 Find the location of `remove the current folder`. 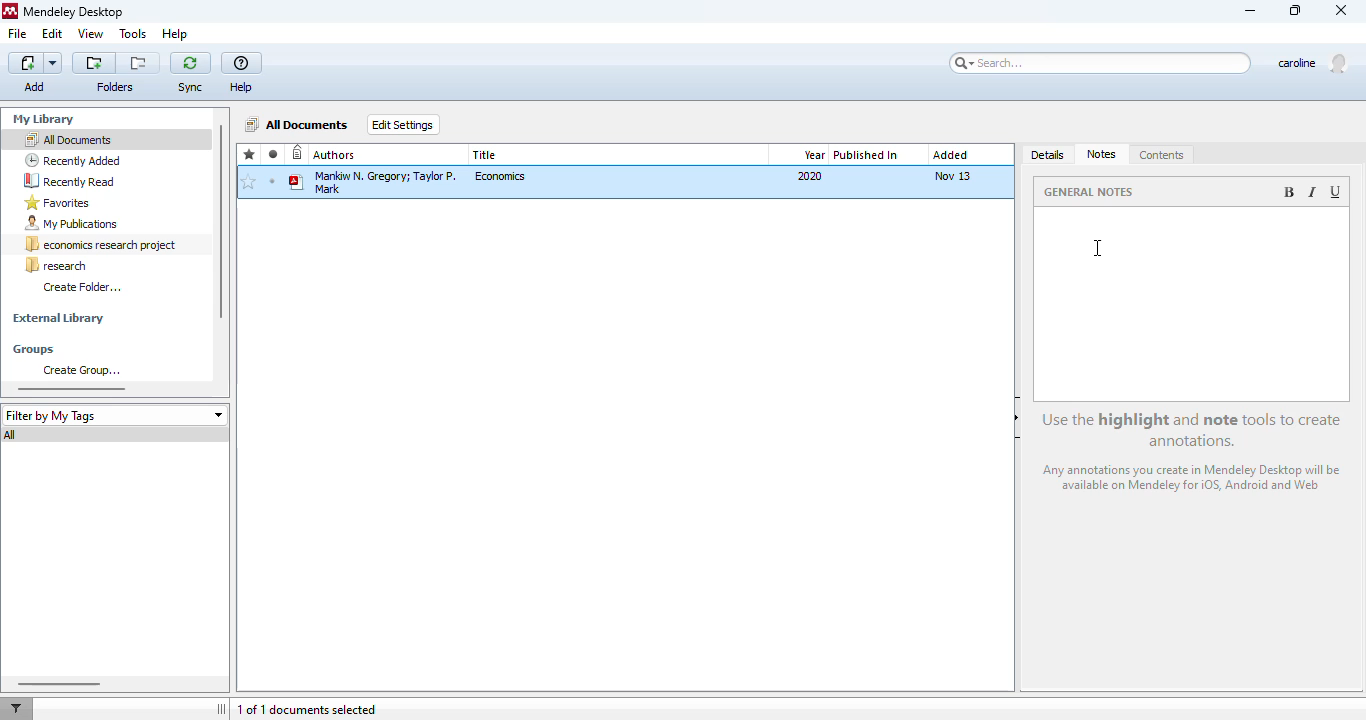

remove the current folder is located at coordinates (139, 63).